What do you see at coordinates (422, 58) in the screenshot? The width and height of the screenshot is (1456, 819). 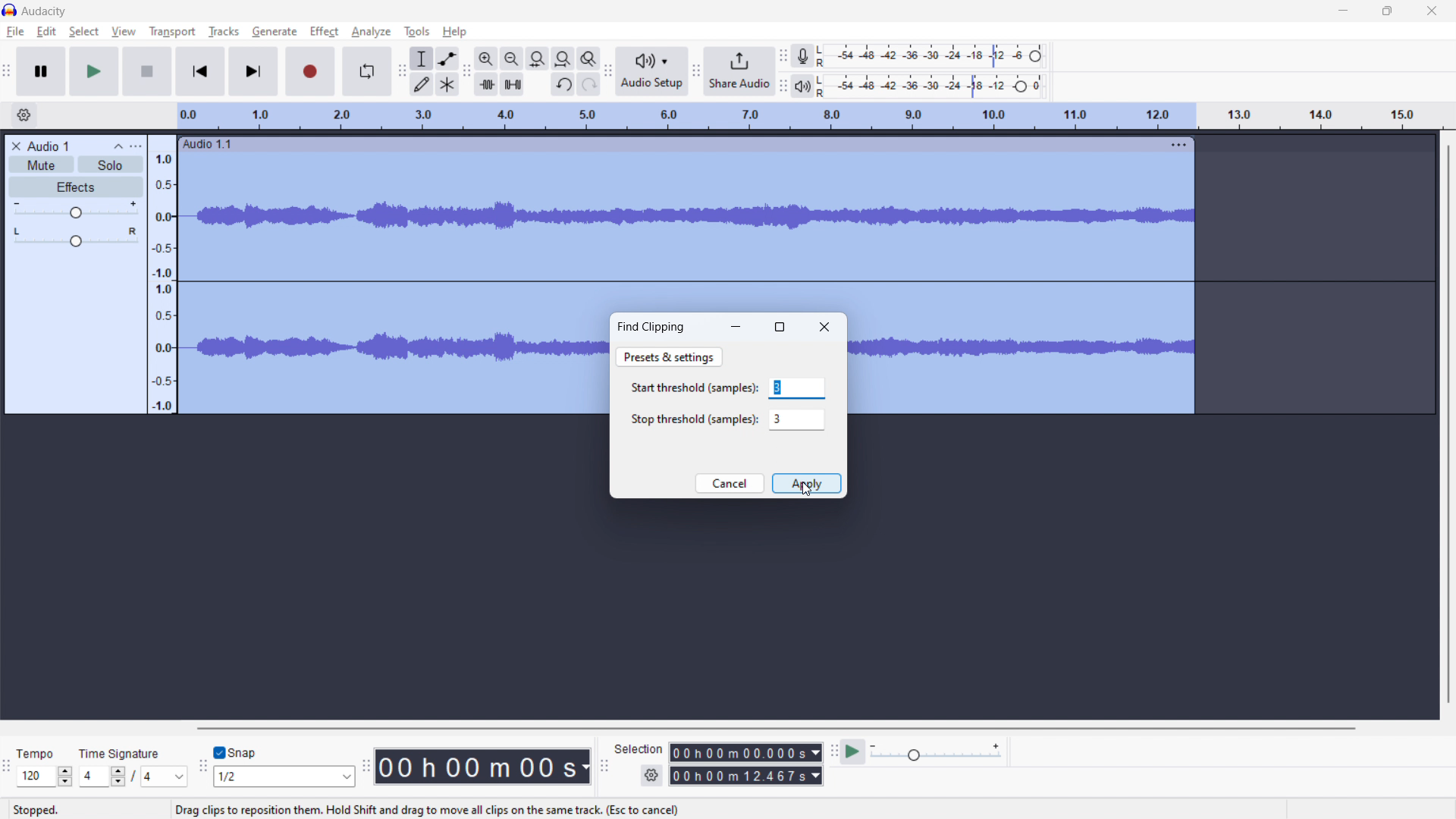 I see `selection tool` at bounding box center [422, 58].